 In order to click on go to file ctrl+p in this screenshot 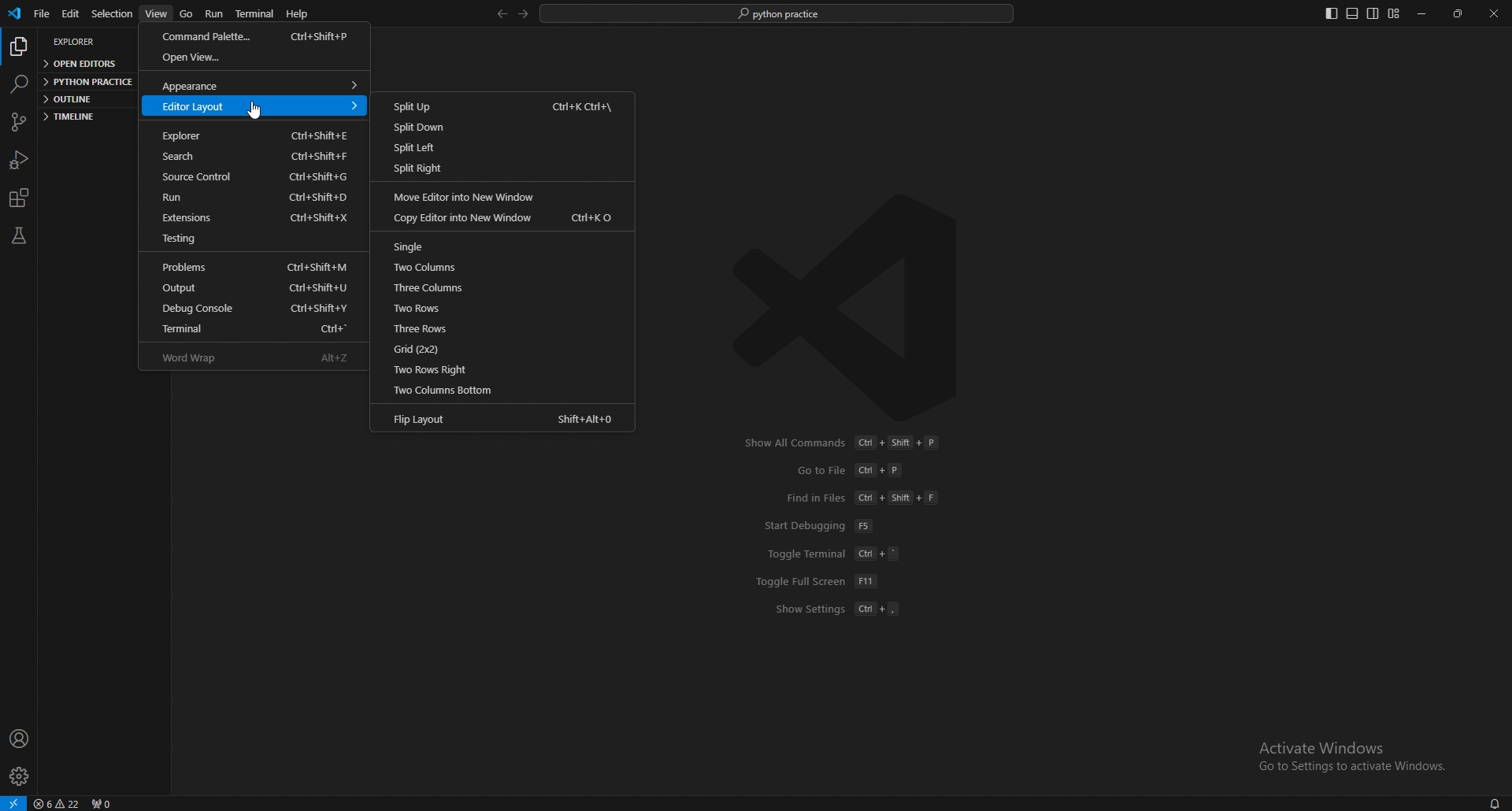, I will do `click(854, 470)`.